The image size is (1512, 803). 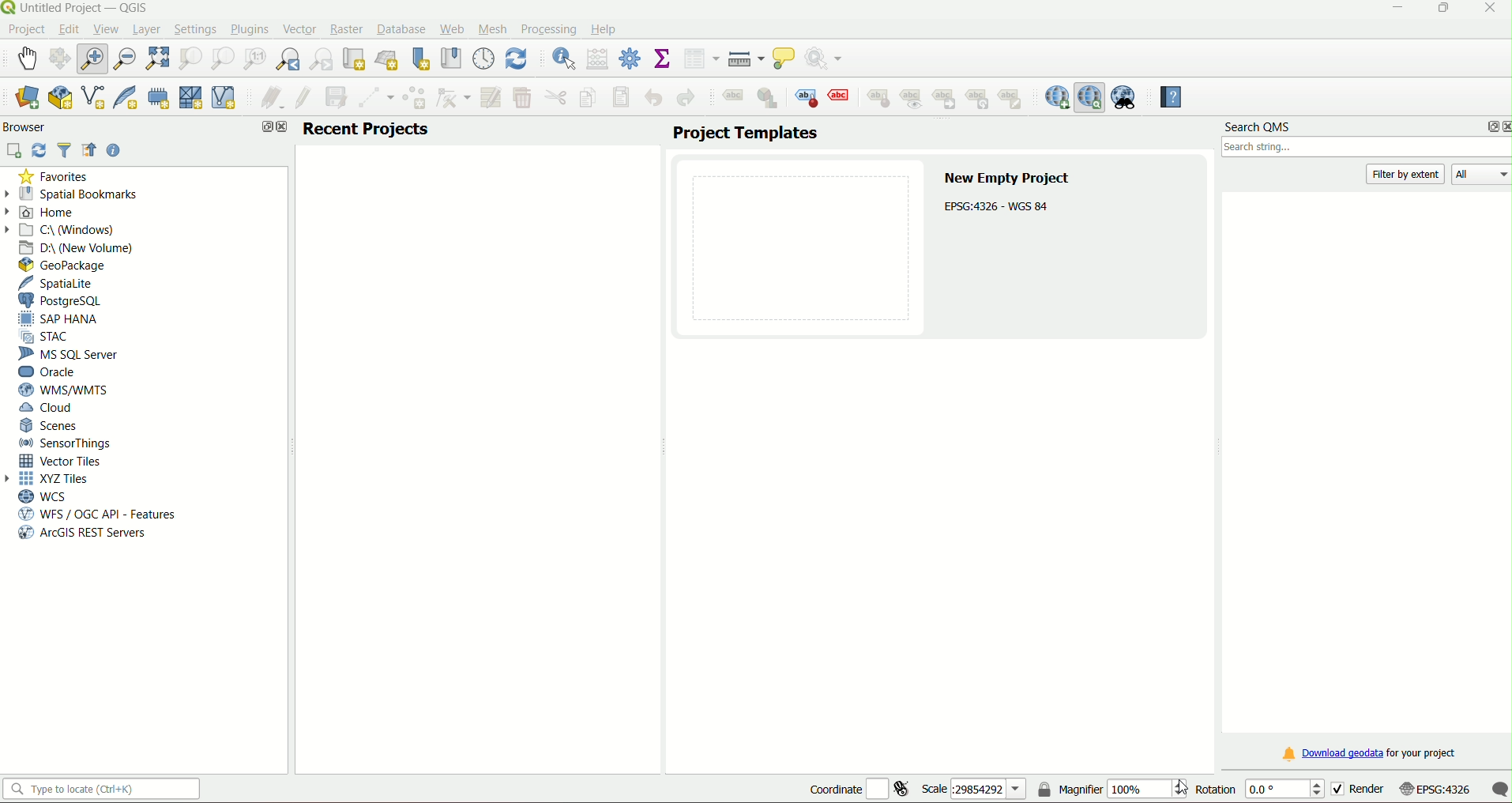 I want to click on zoom last, so click(x=291, y=59).